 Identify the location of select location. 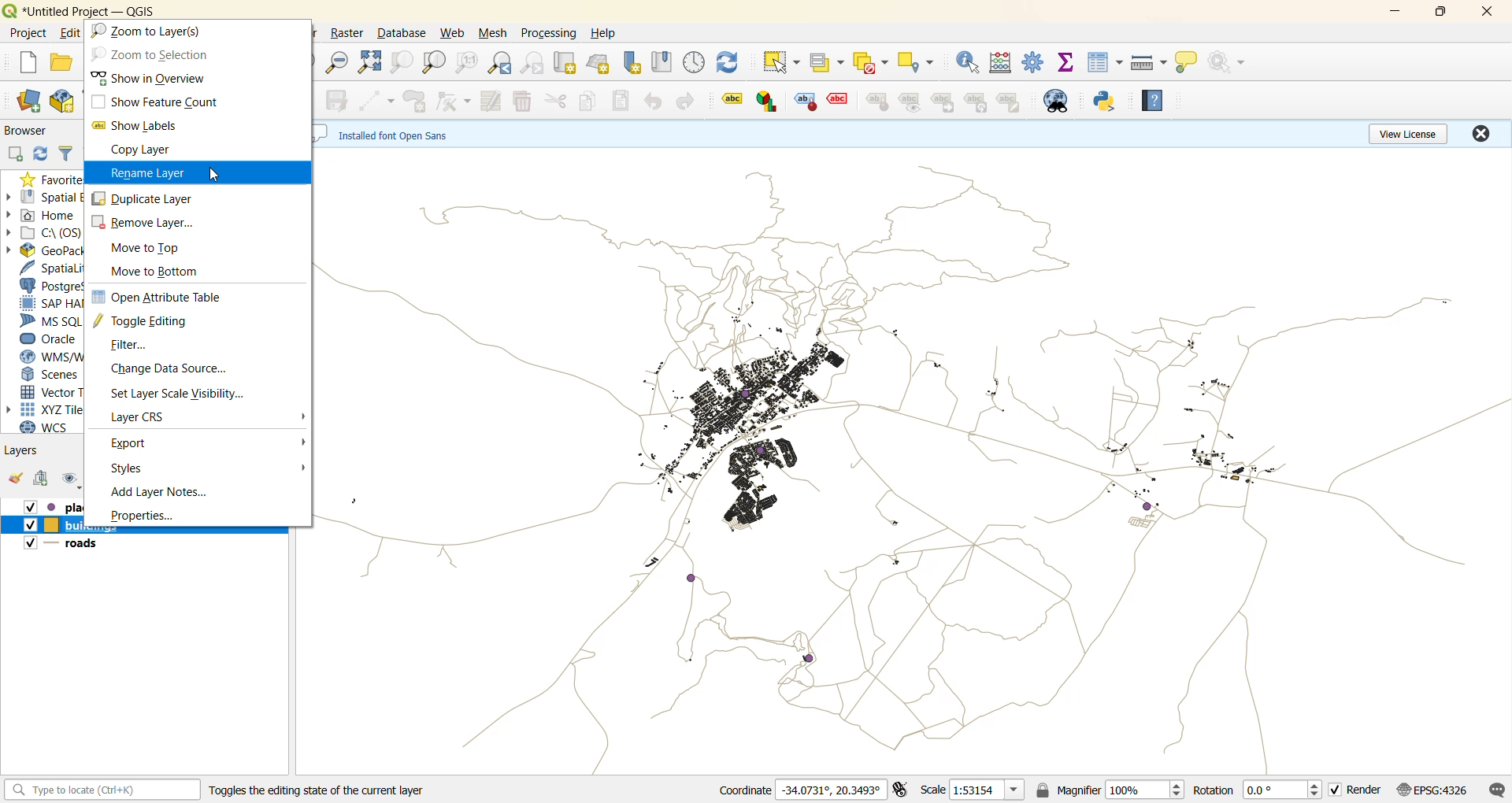
(914, 60).